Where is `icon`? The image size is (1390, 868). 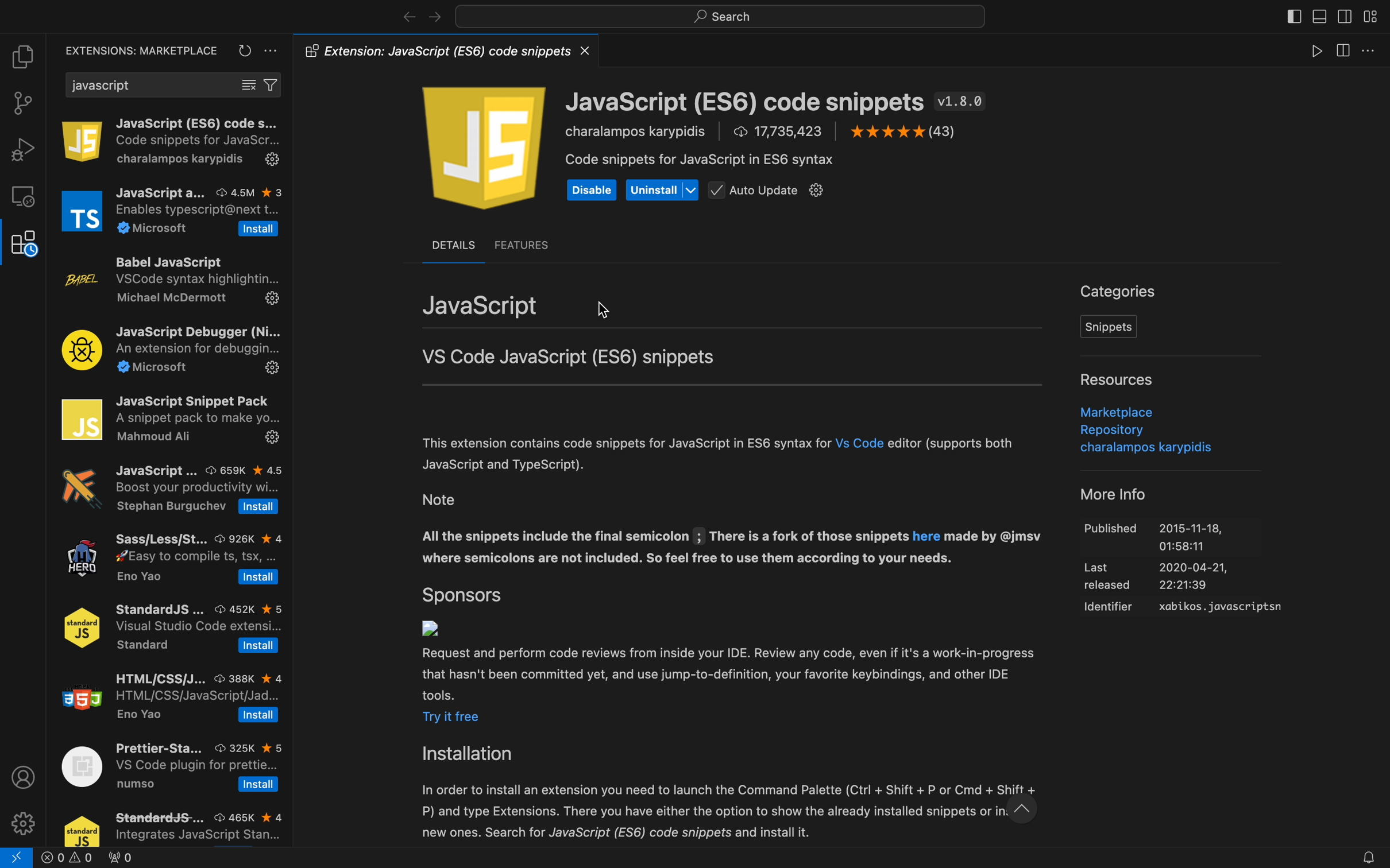
icon is located at coordinates (479, 145).